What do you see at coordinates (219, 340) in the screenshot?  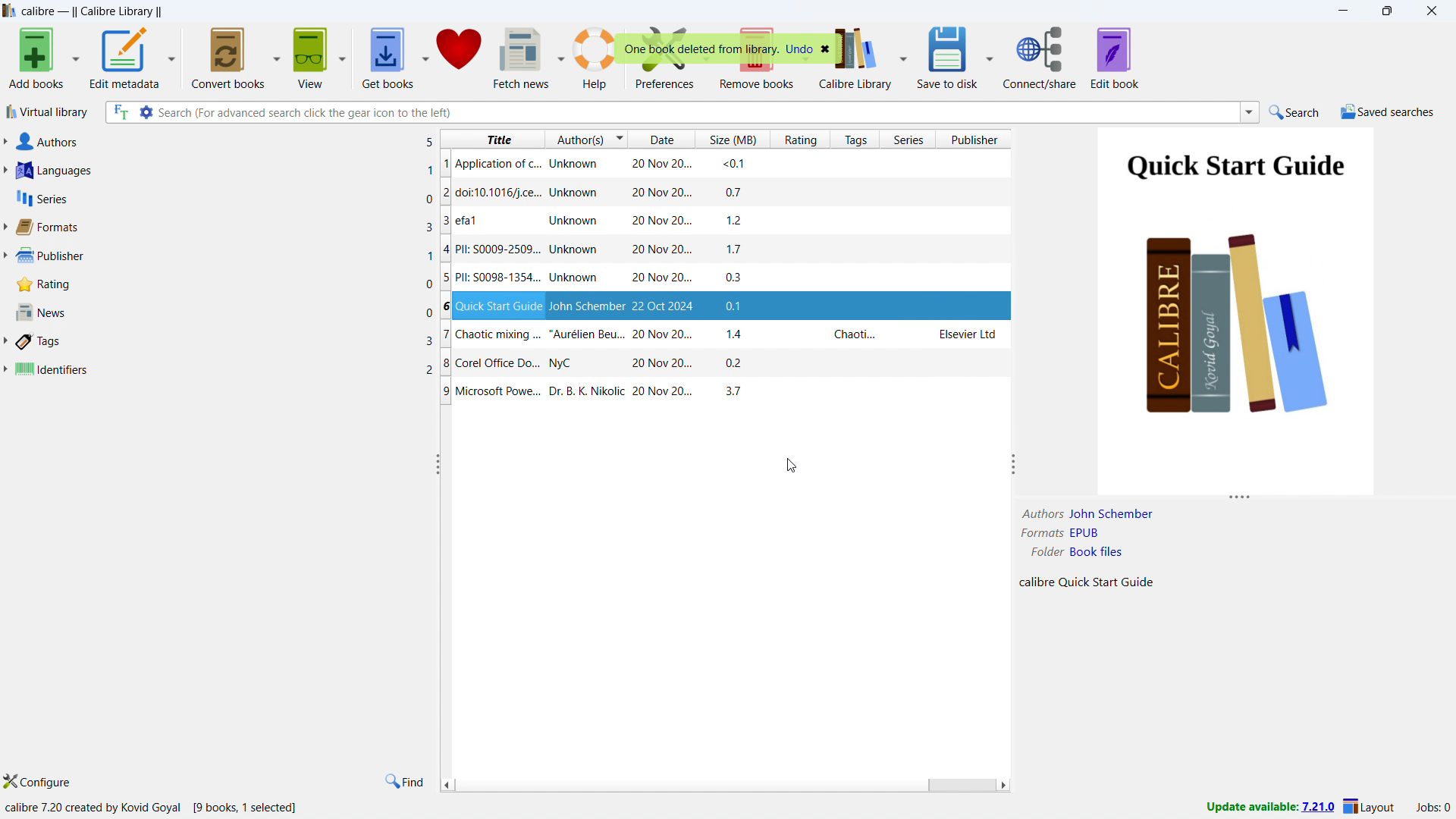 I see `tags` at bounding box center [219, 340].